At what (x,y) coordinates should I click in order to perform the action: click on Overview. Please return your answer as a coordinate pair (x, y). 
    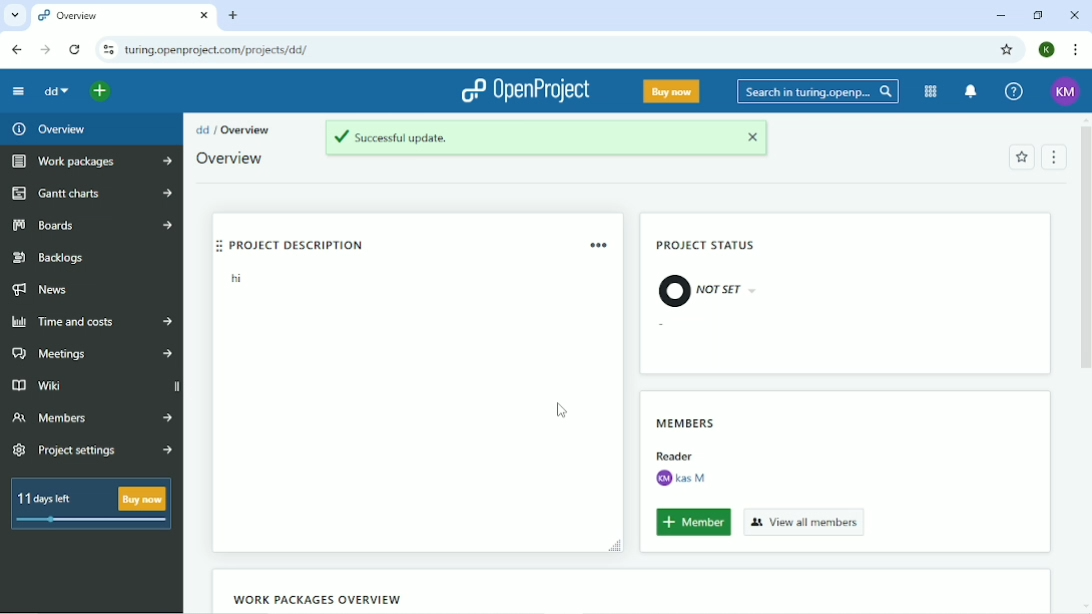
    Looking at the image, I should click on (50, 129).